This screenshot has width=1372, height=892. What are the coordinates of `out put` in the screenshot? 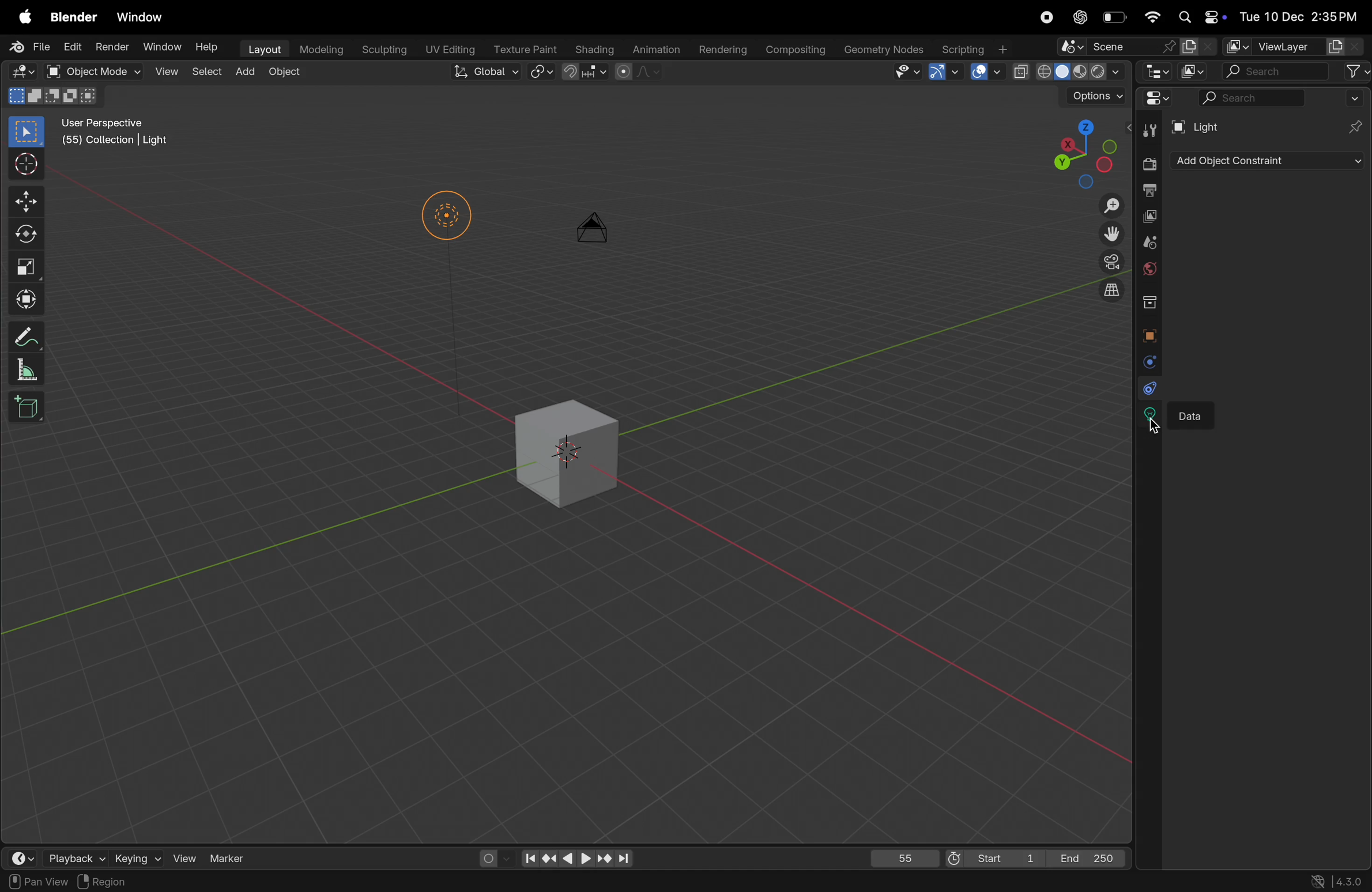 It's located at (1149, 189).